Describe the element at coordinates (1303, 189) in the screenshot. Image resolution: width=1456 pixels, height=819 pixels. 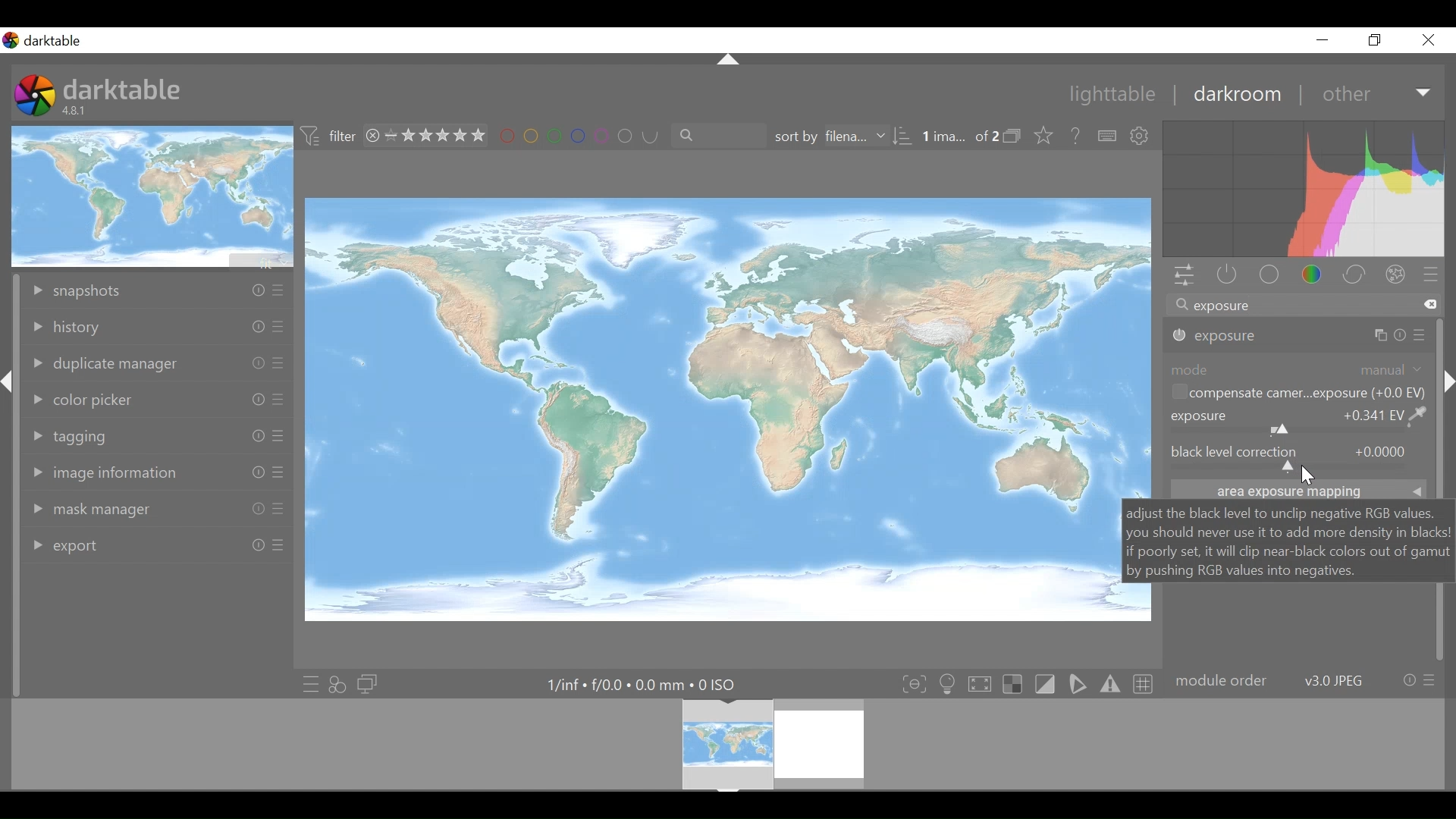
I see `histogram` at that location.